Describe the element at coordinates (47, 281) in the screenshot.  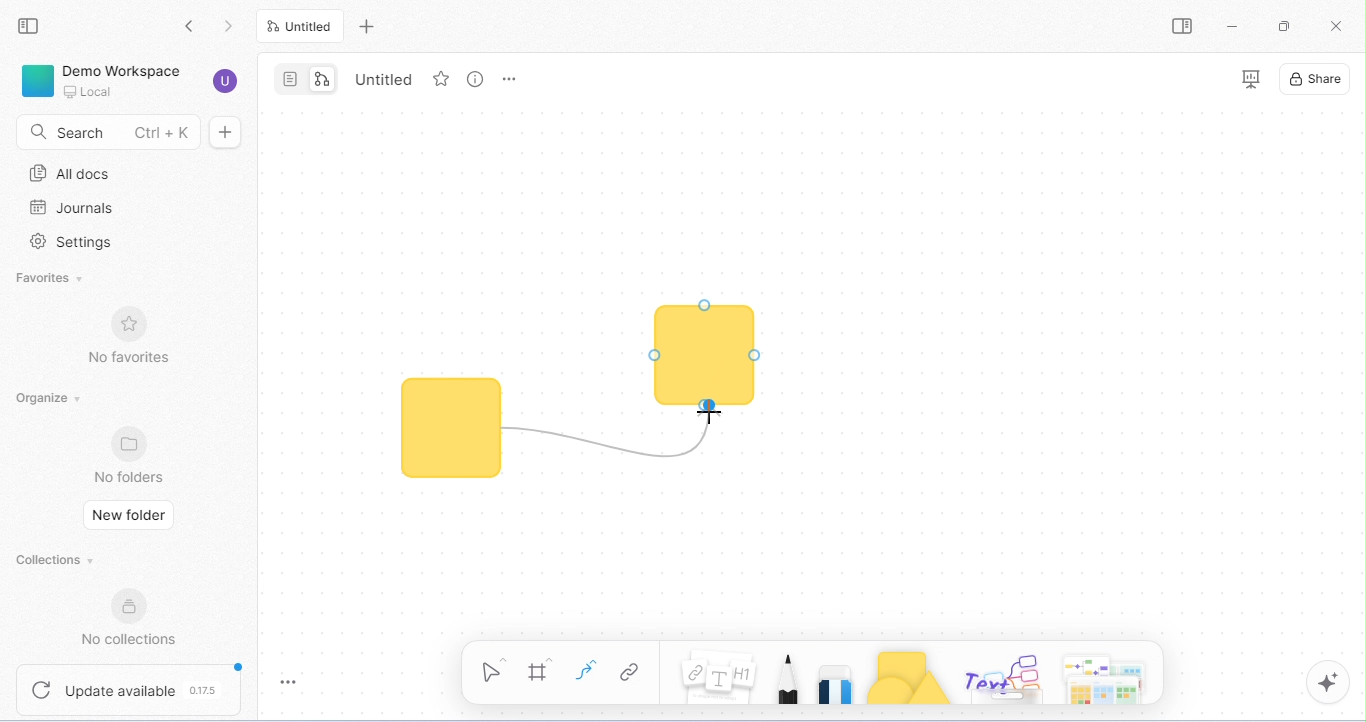
I see `favorites` at that location.